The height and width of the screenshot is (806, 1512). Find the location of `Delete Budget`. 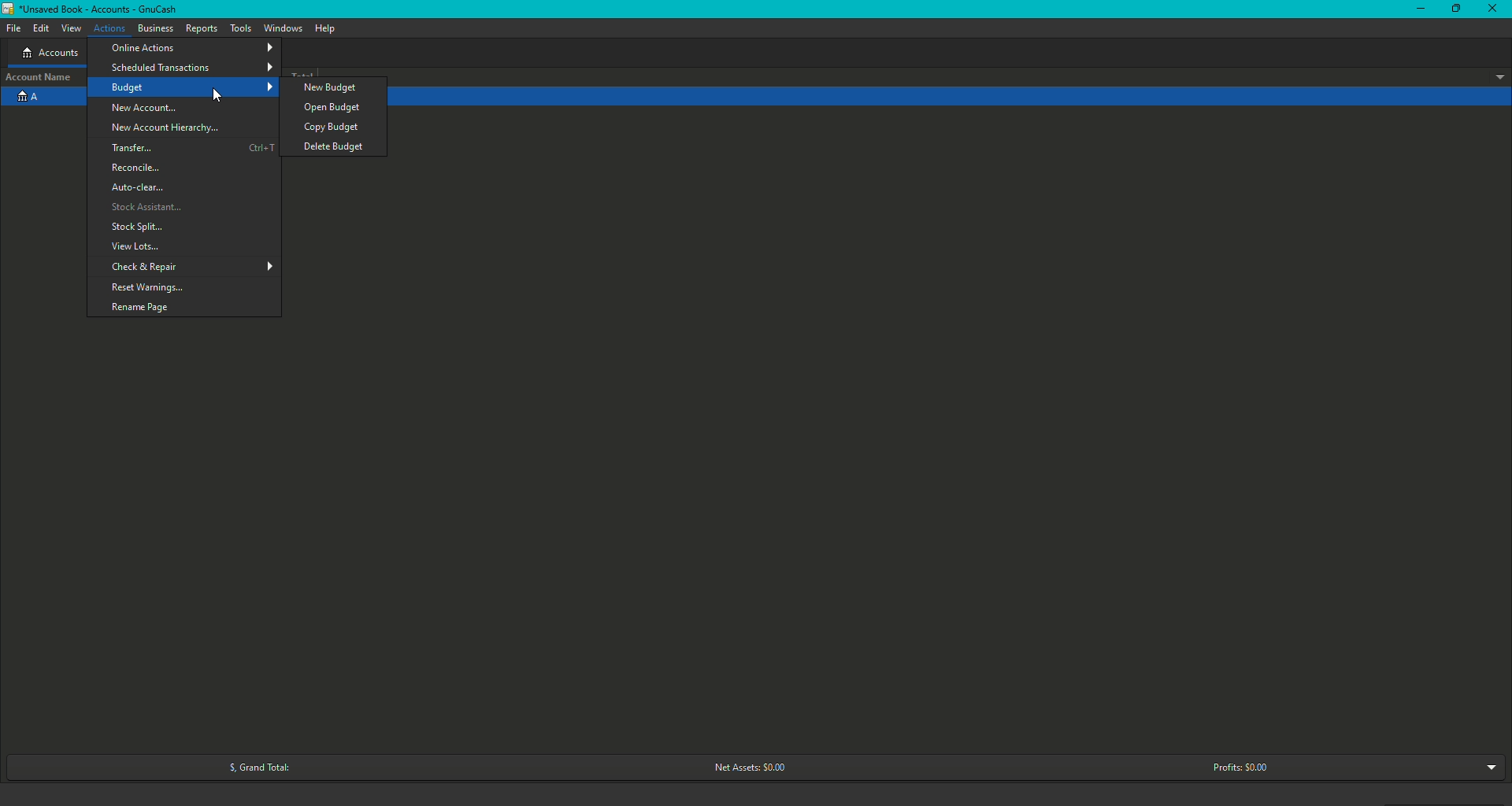

Delete Budget is located at coordinates (332, 147).